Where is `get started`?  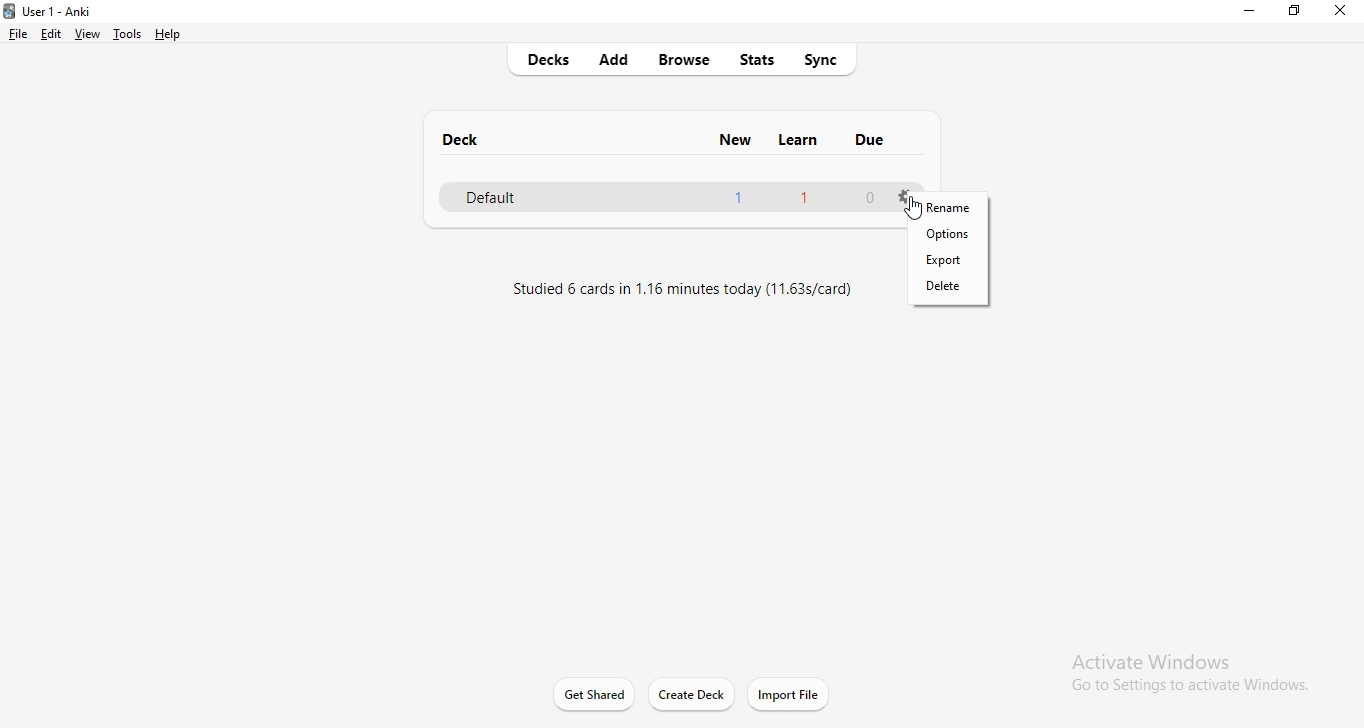
get started is located at coordinates (598, 693).